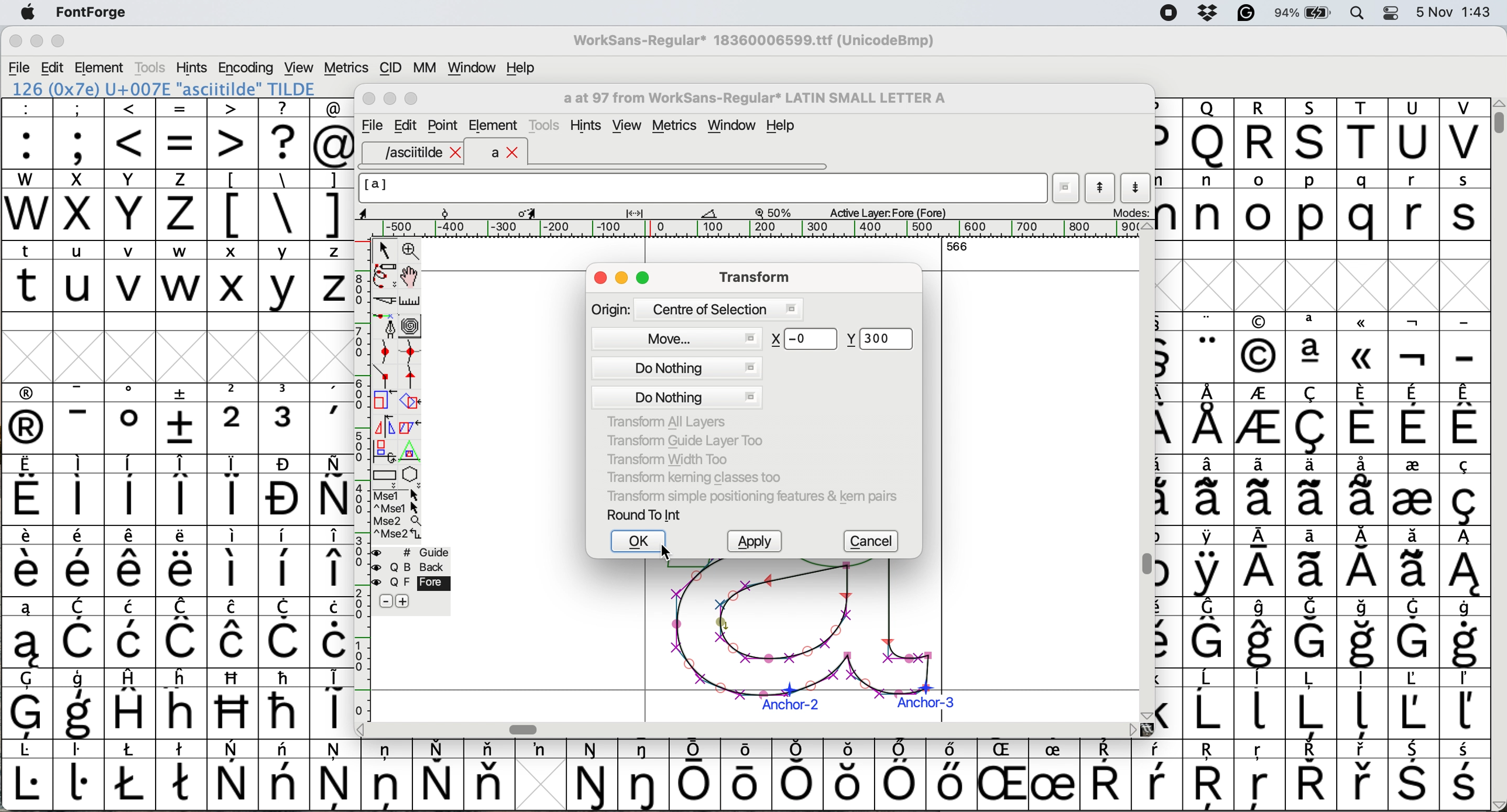 Image resolution: width=1507 pixels, height=812 pixels. I want to click on symbol, so click(80, 562).